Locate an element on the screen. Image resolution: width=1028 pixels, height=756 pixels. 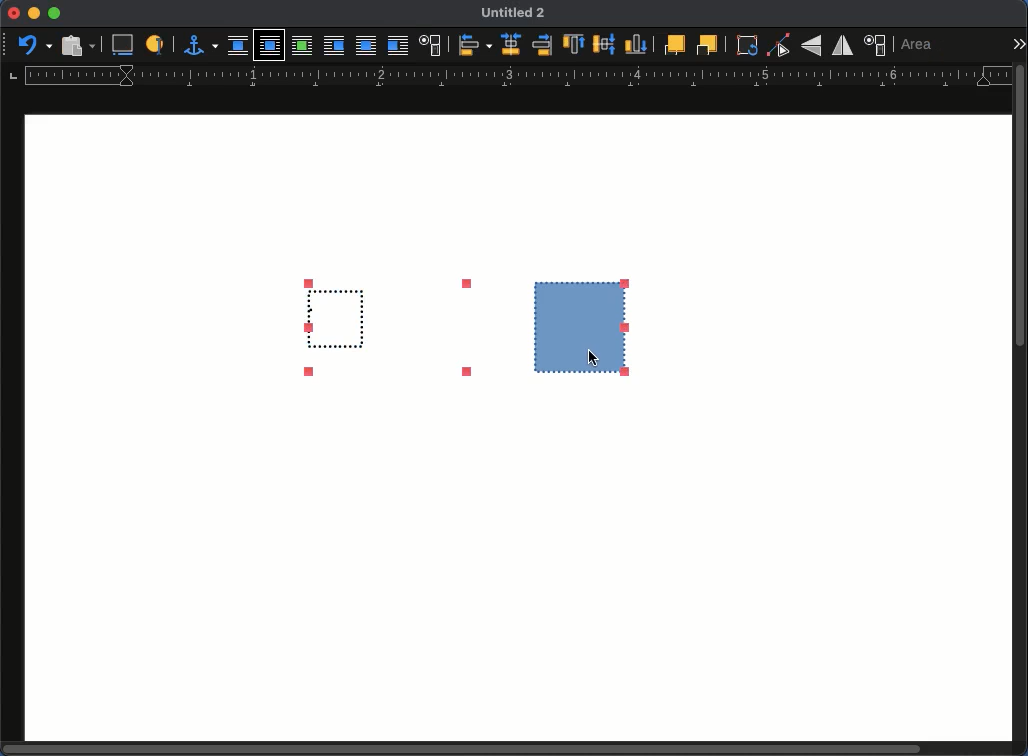
selected  is located at coordinates (461, 328).